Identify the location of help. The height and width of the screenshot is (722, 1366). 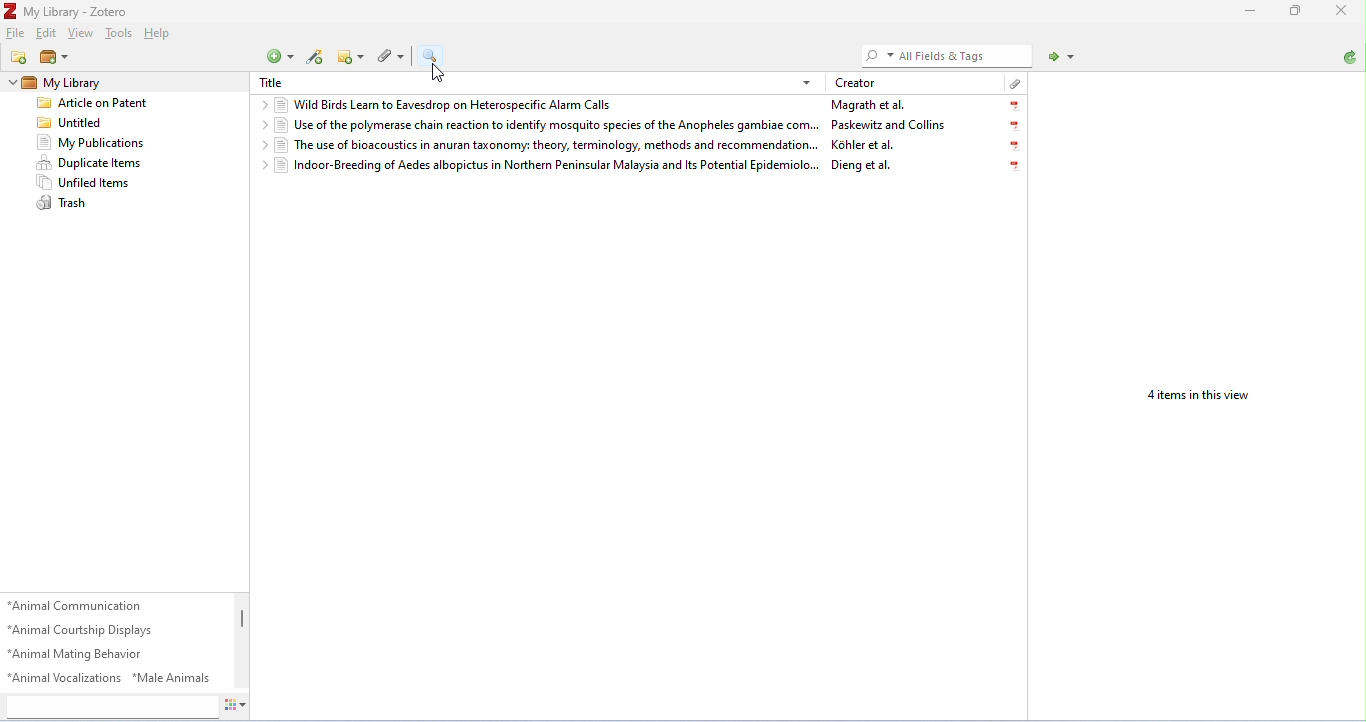
(159, 34).